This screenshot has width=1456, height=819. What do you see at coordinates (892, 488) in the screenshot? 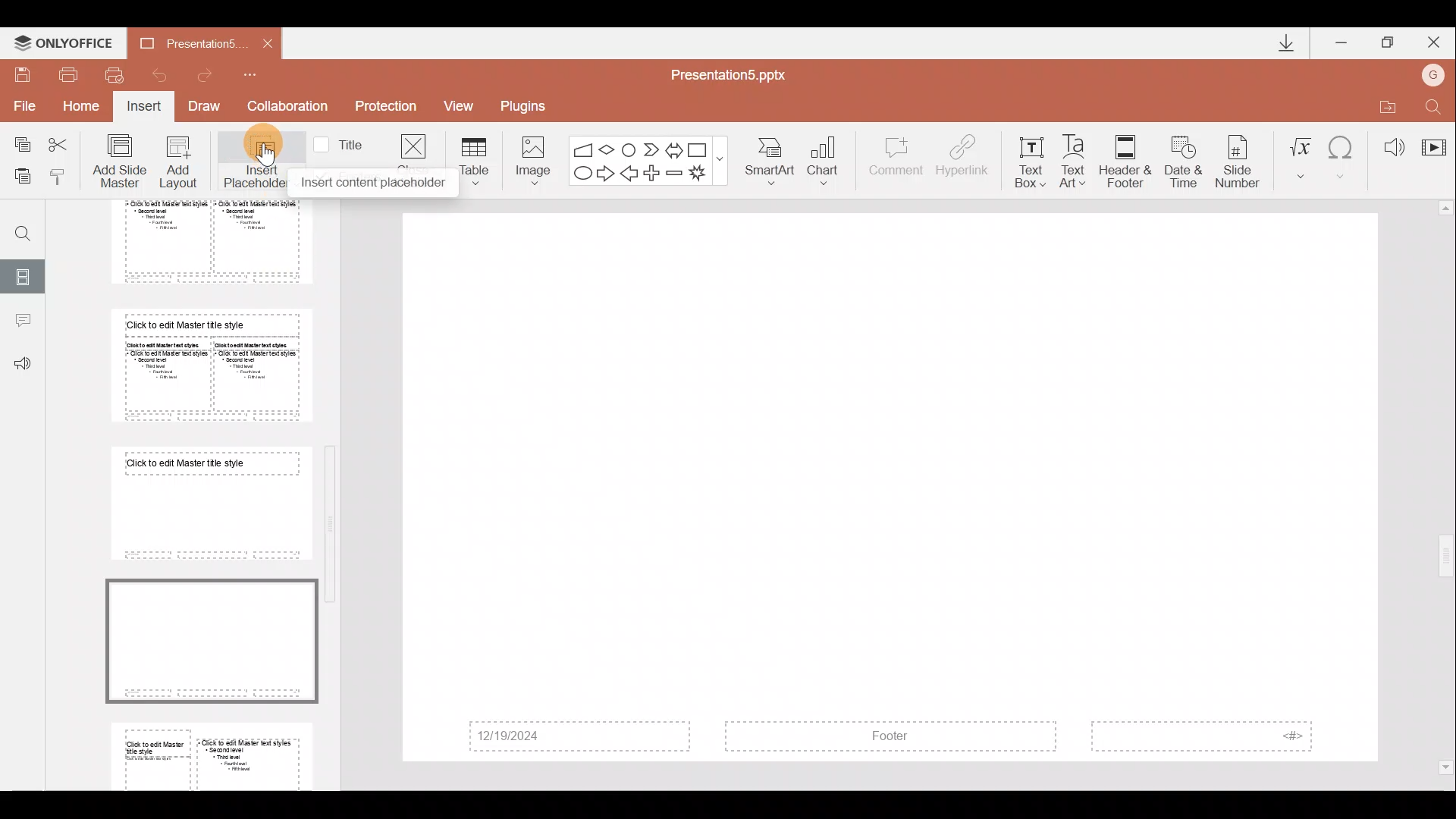
I see `Presentation slide` at bounding box center [892, 488].